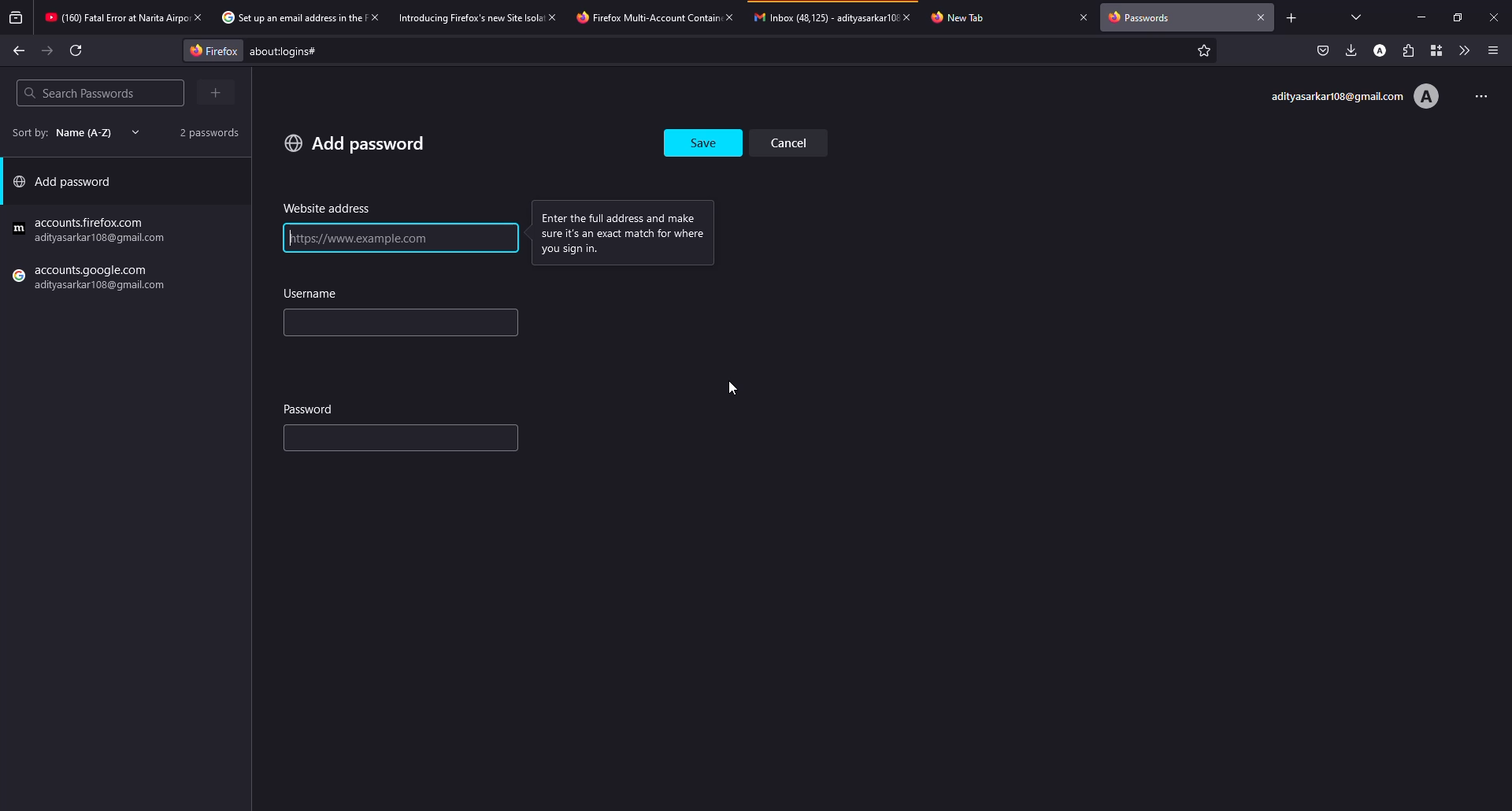  What do you see at coordinates (48, 51) in the screenshot?
I see `forward` at bounding box center [48, 51].